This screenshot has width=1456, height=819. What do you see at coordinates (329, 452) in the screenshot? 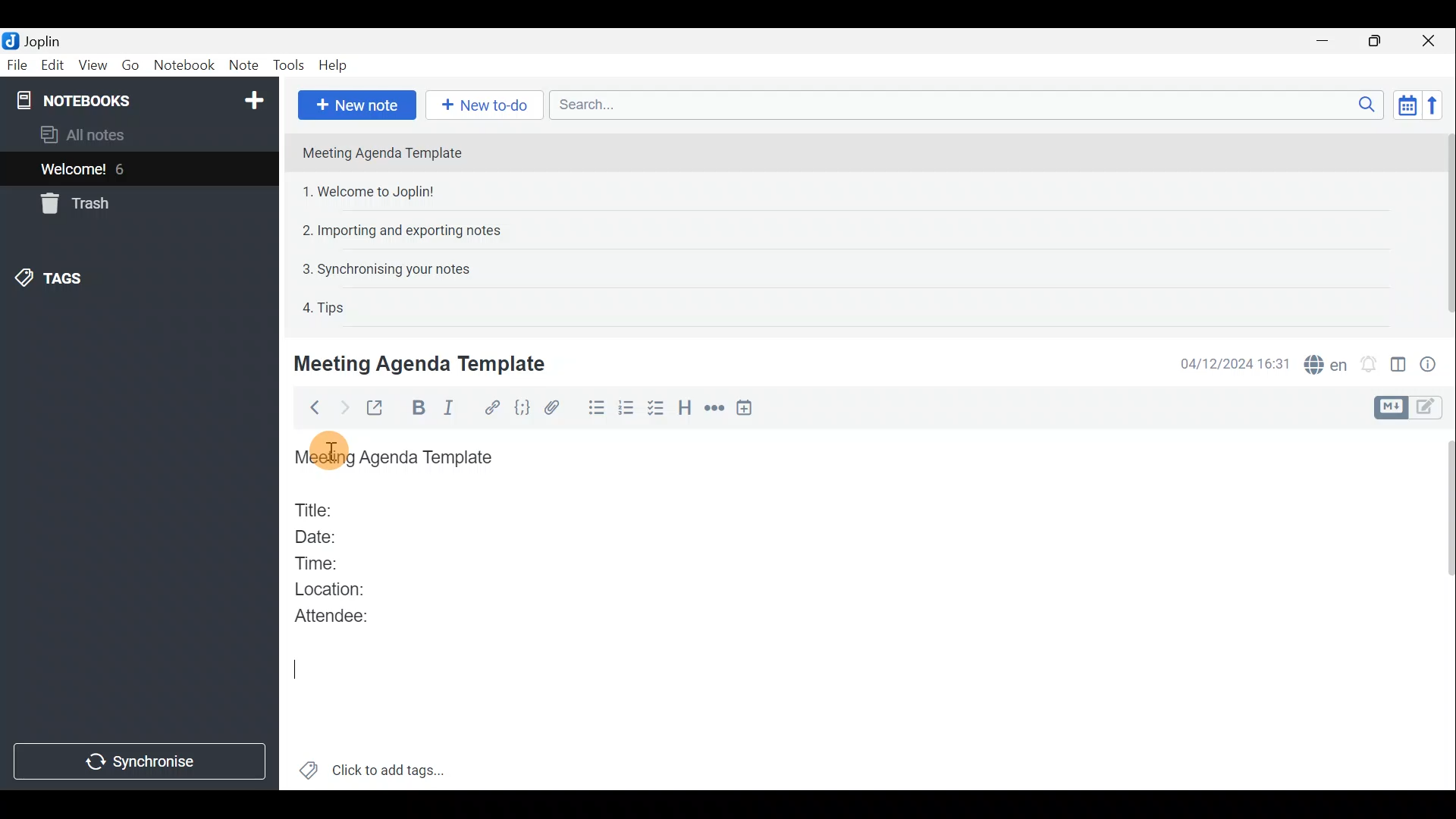
I see `` at bounding box center [329, 452].